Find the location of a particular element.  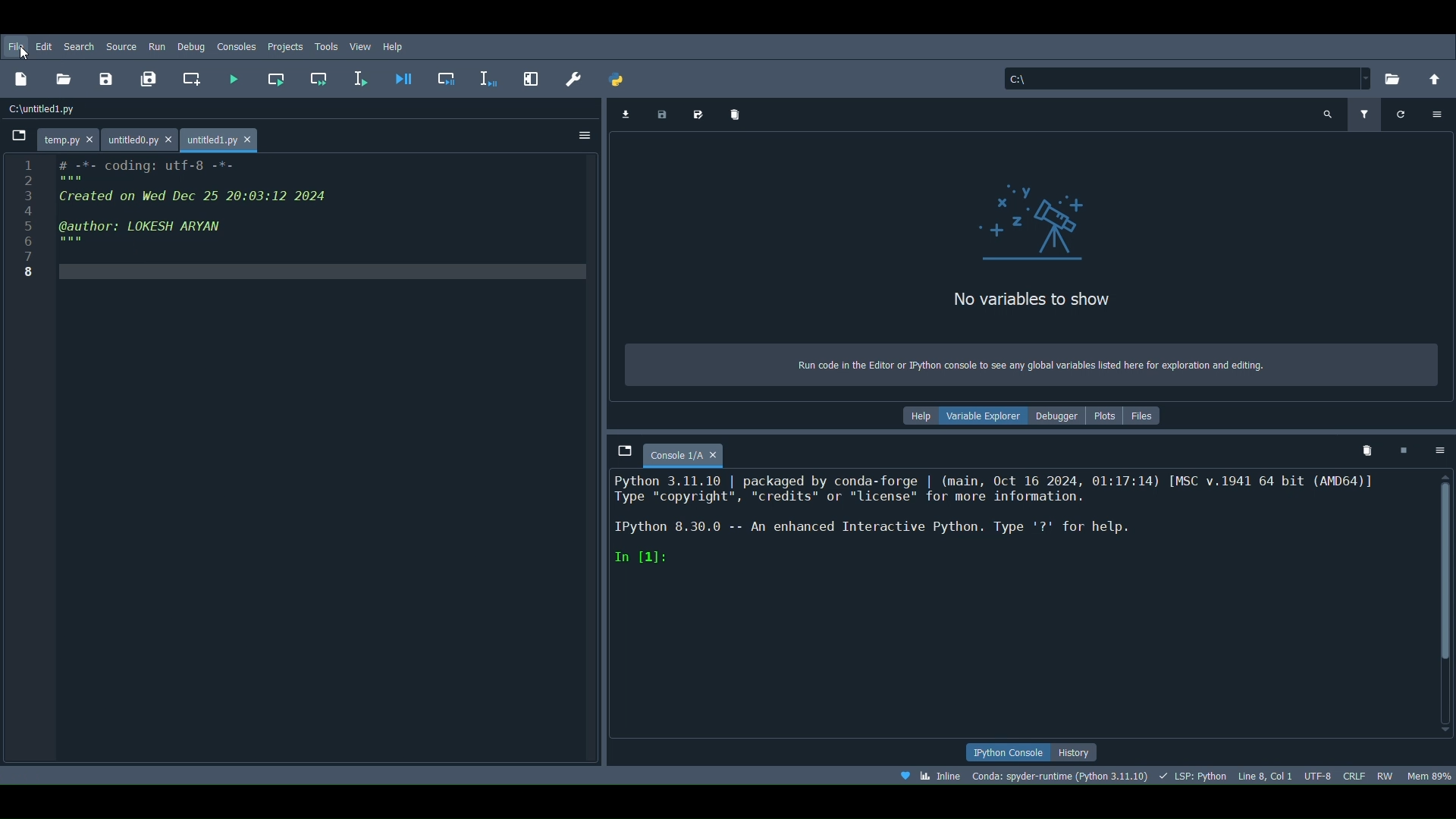

Console 1/A is located at coordinates (688, 452).